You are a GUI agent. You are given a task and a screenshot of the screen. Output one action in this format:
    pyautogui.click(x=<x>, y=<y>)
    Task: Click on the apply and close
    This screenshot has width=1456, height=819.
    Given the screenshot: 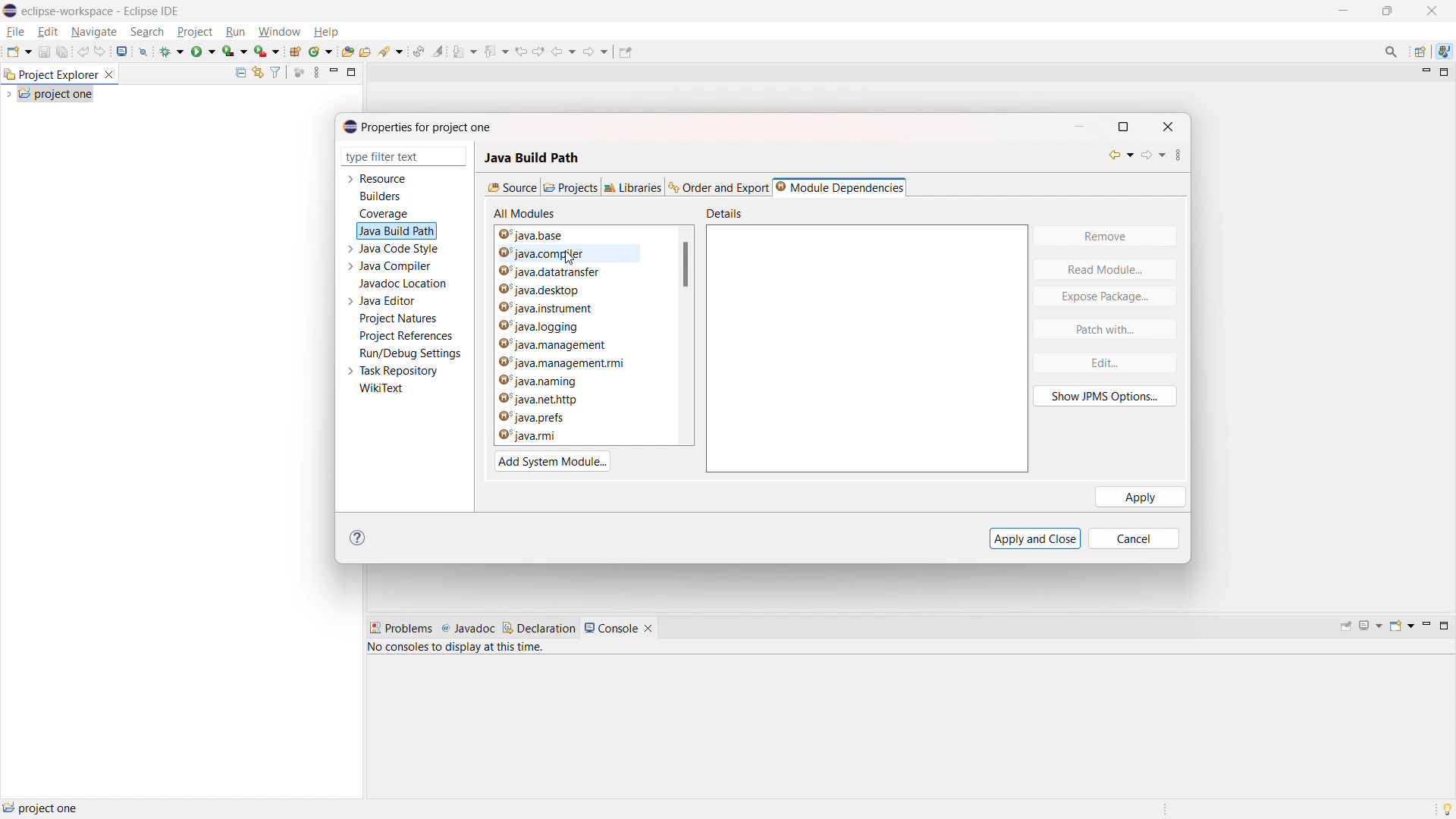 What is the action you would take?
    pyautogui.click(x=1035, y=538)
    